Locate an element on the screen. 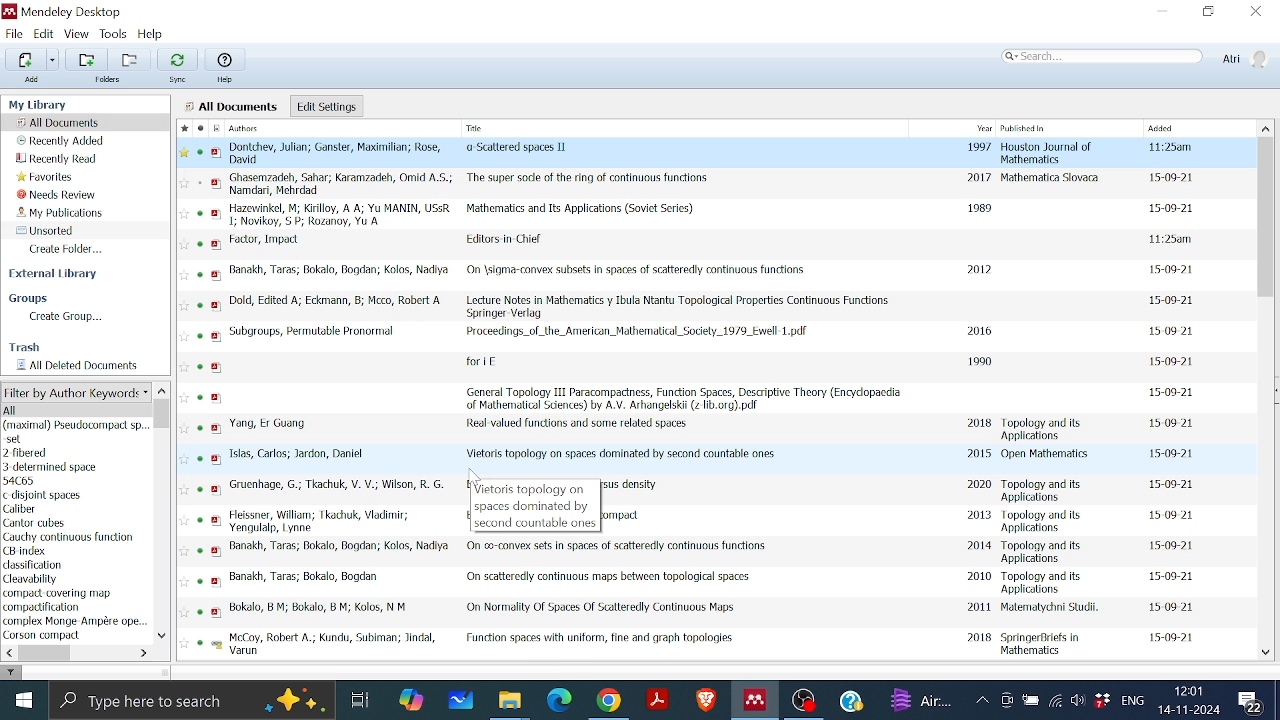  pdf is located at coordinates (215, 398).